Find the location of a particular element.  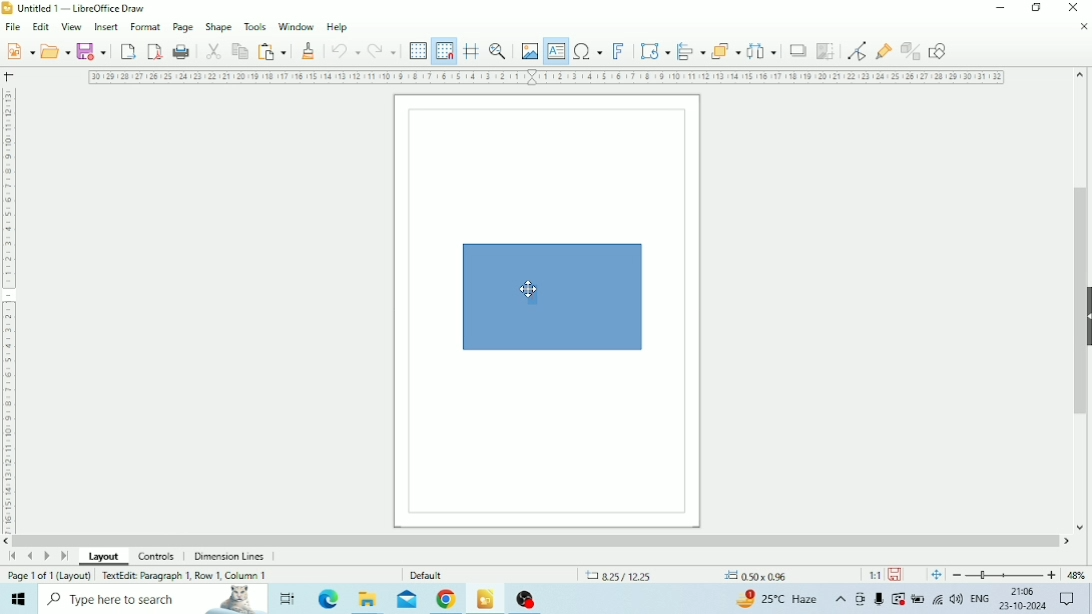

Paste is located at coordinates (272, 52).